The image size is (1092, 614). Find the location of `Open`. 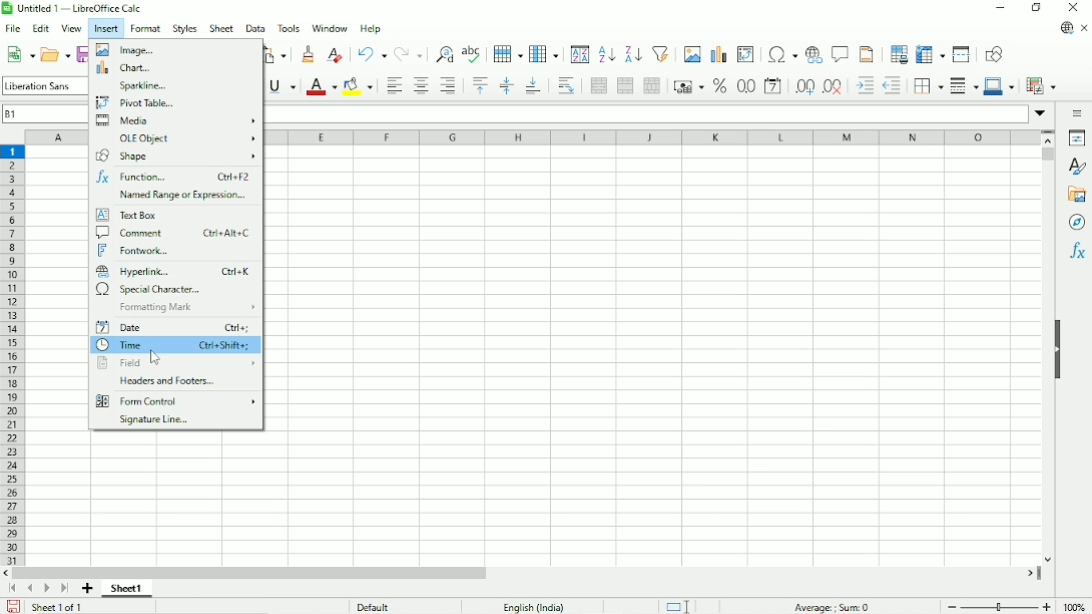

Open is located at coordinates (55, 54).